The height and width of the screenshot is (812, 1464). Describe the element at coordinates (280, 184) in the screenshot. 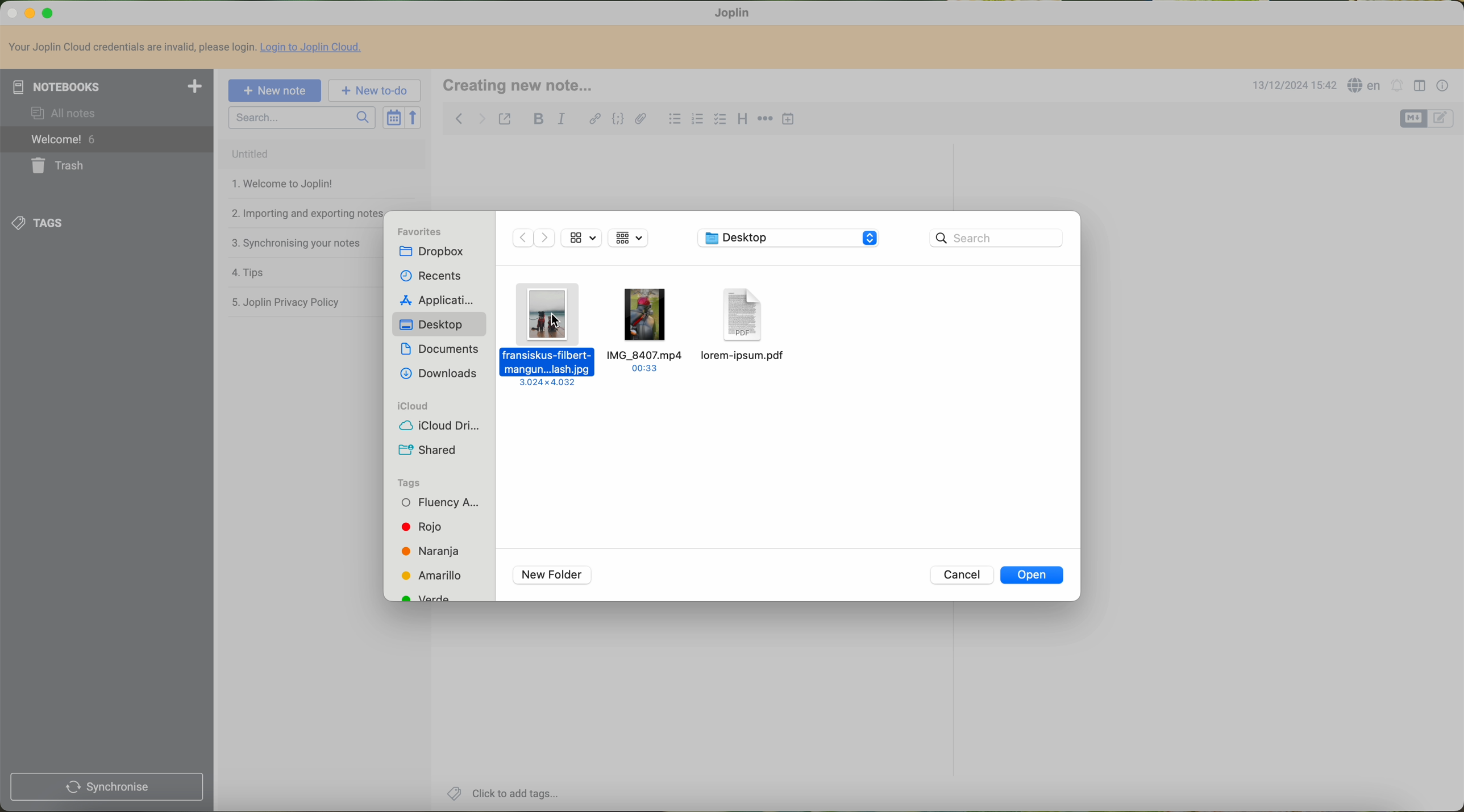

I see `welcome to joplin` at that location.